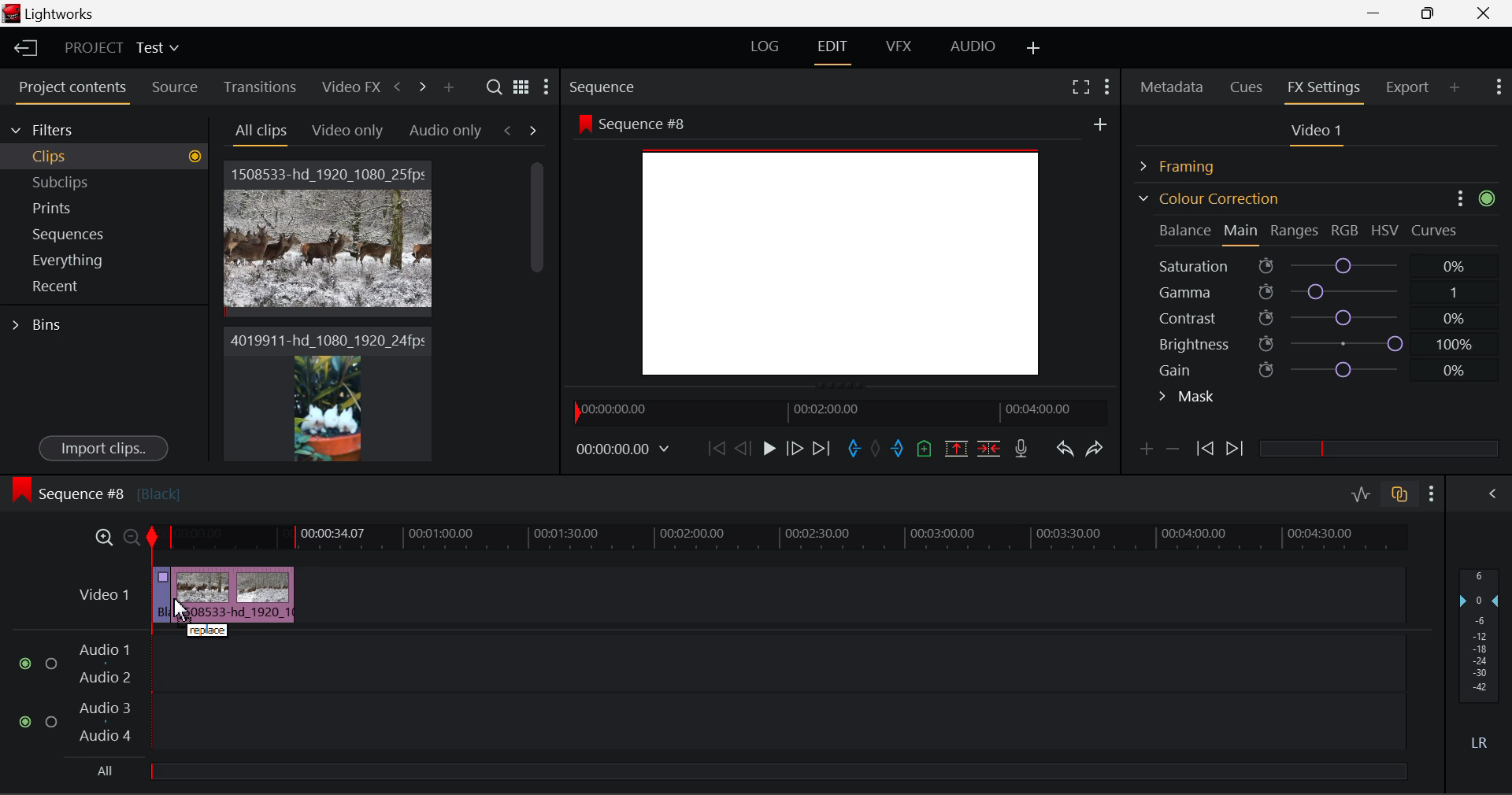 The width and height of the screenshot is (1512, 795). What do you see at coordinates (1143, 452) in the screenshot?
I see `Add keyframe` at bounding box center [1143, 452].